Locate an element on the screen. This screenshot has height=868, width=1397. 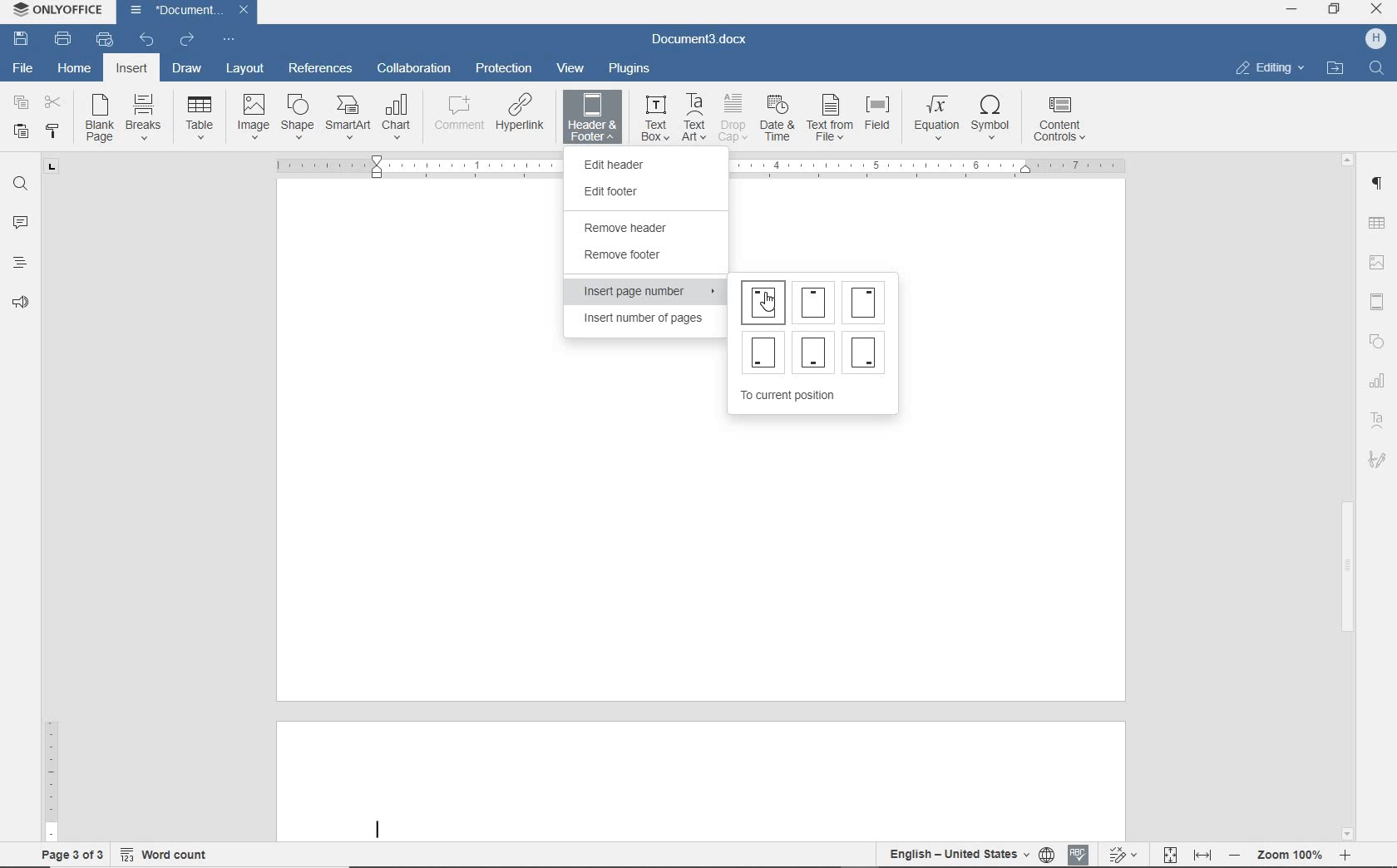
EDIT HEADER is located at coordinates (639, 165).